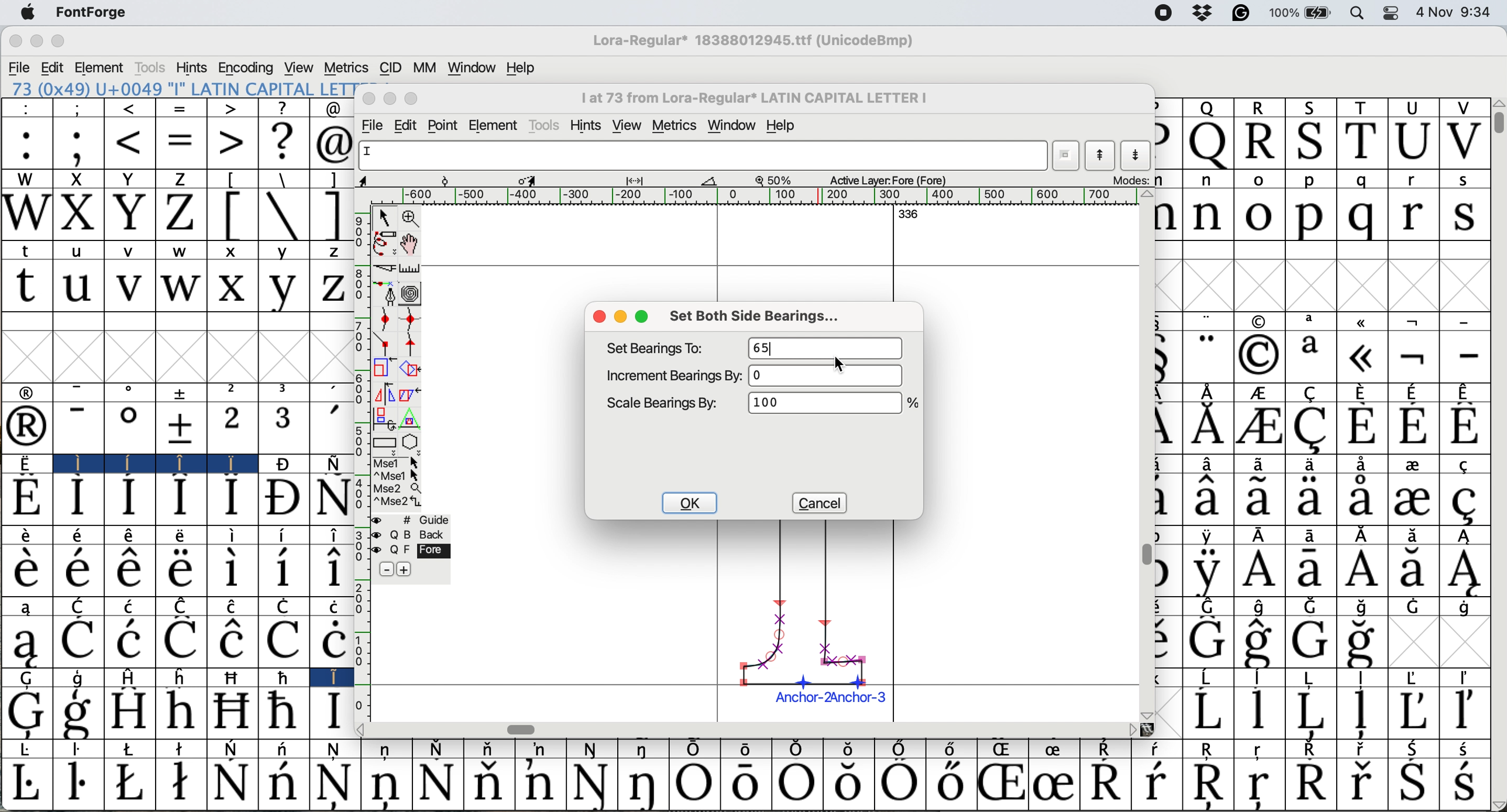 This screenshot has width=1507, height=812. I want to click on Symbol, so click(745, 749).